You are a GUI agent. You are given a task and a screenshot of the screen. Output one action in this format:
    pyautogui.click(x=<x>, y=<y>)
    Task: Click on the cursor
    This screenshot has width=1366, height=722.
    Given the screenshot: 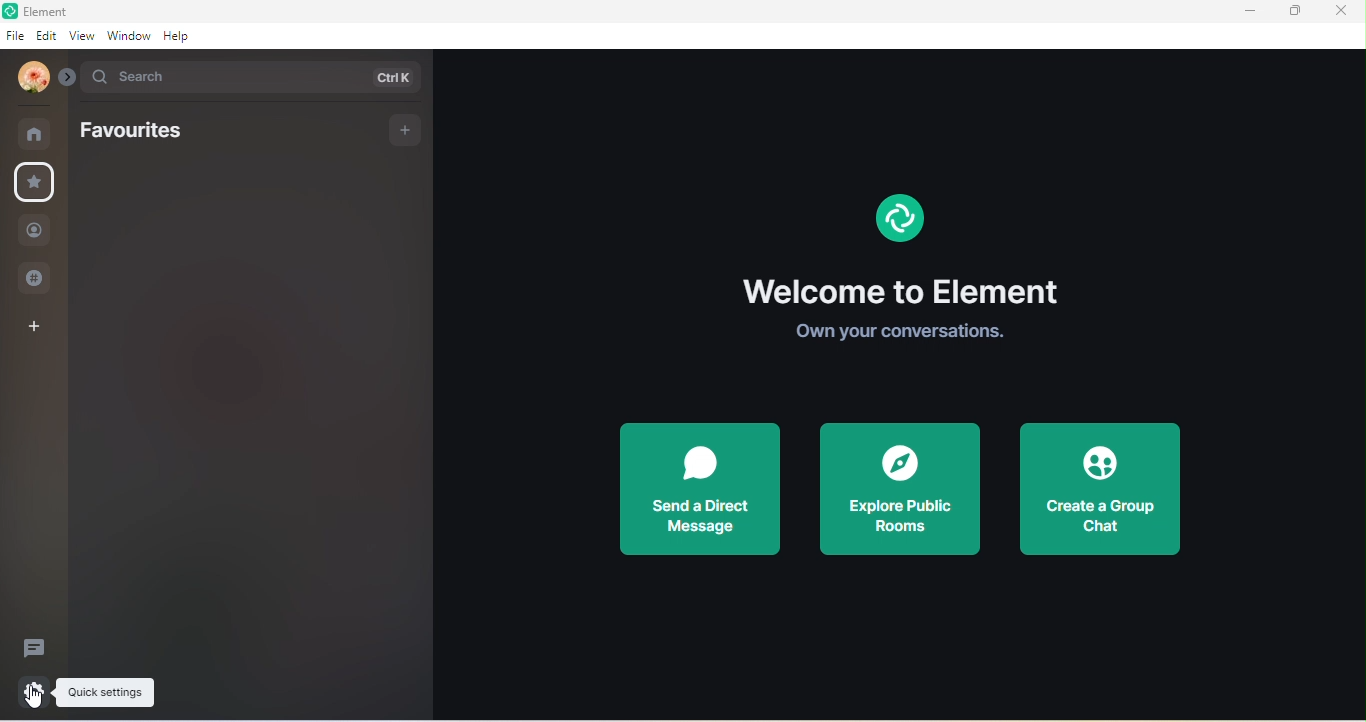 What is the action you would take?
    pyautogui.click(x=37, y=708)
    